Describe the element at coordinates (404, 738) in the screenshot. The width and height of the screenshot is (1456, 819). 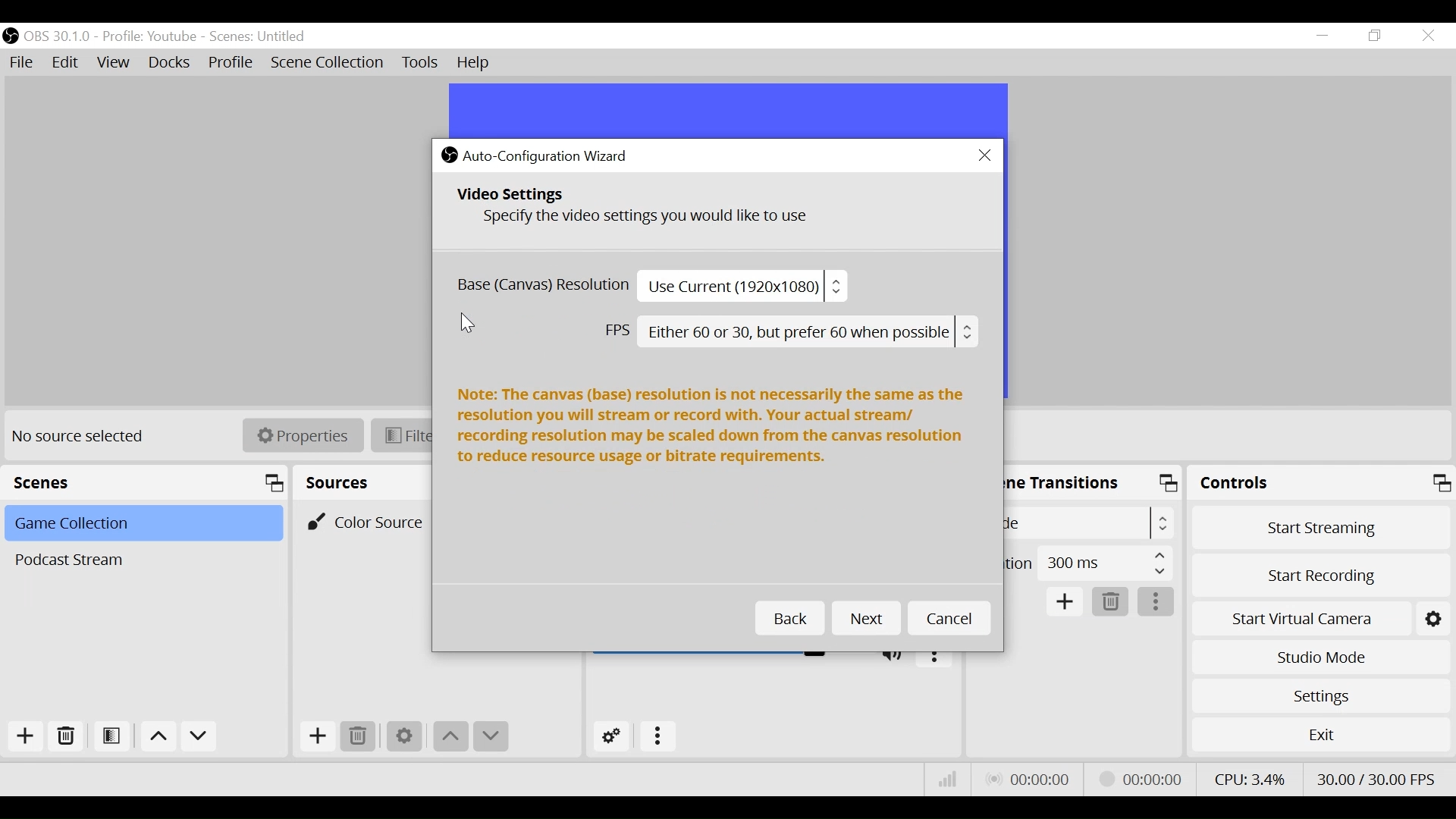
I see `Settings` at that location.